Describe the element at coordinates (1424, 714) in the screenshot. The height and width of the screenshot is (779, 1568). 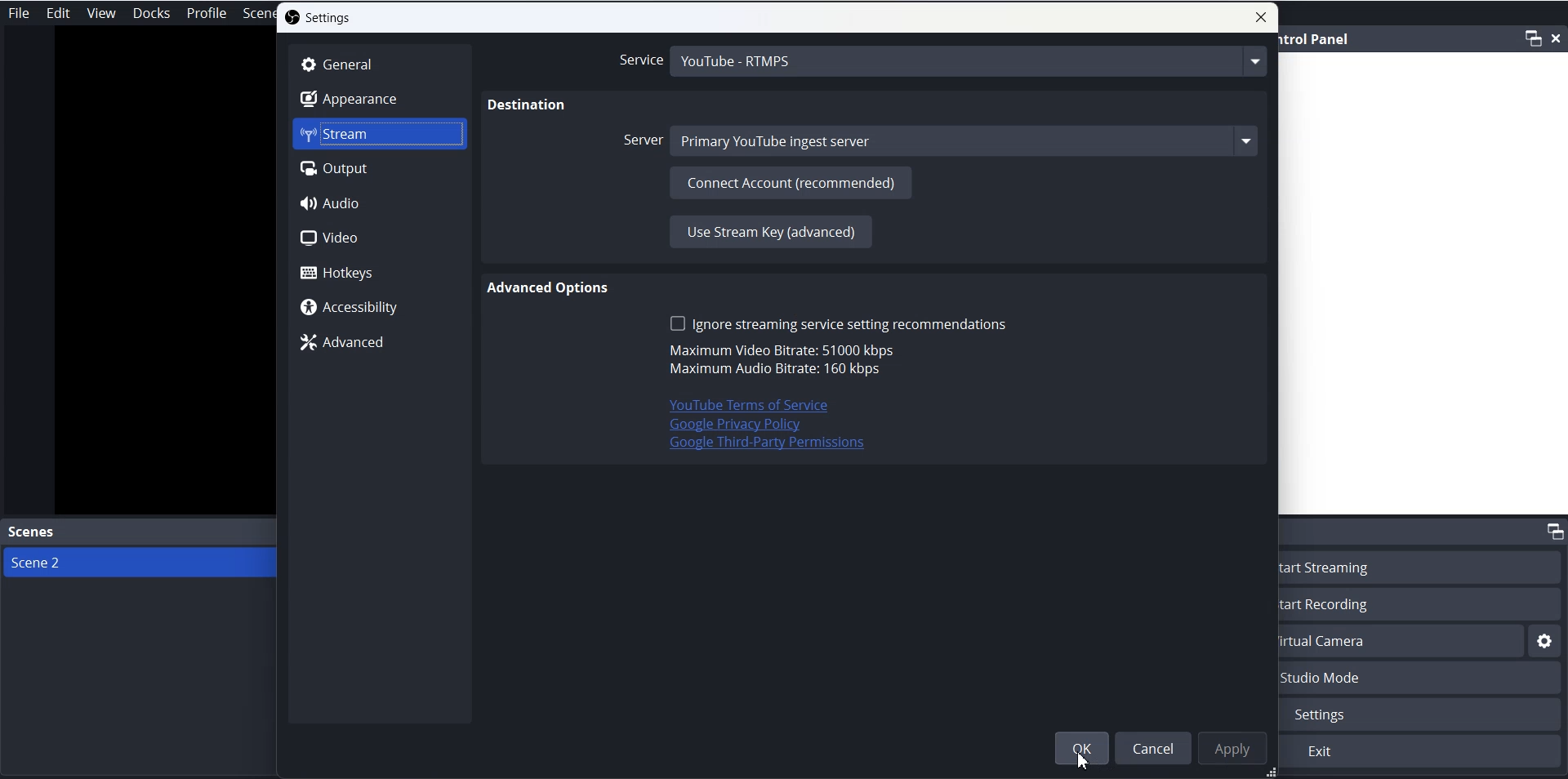
I see `Settings` at that location.